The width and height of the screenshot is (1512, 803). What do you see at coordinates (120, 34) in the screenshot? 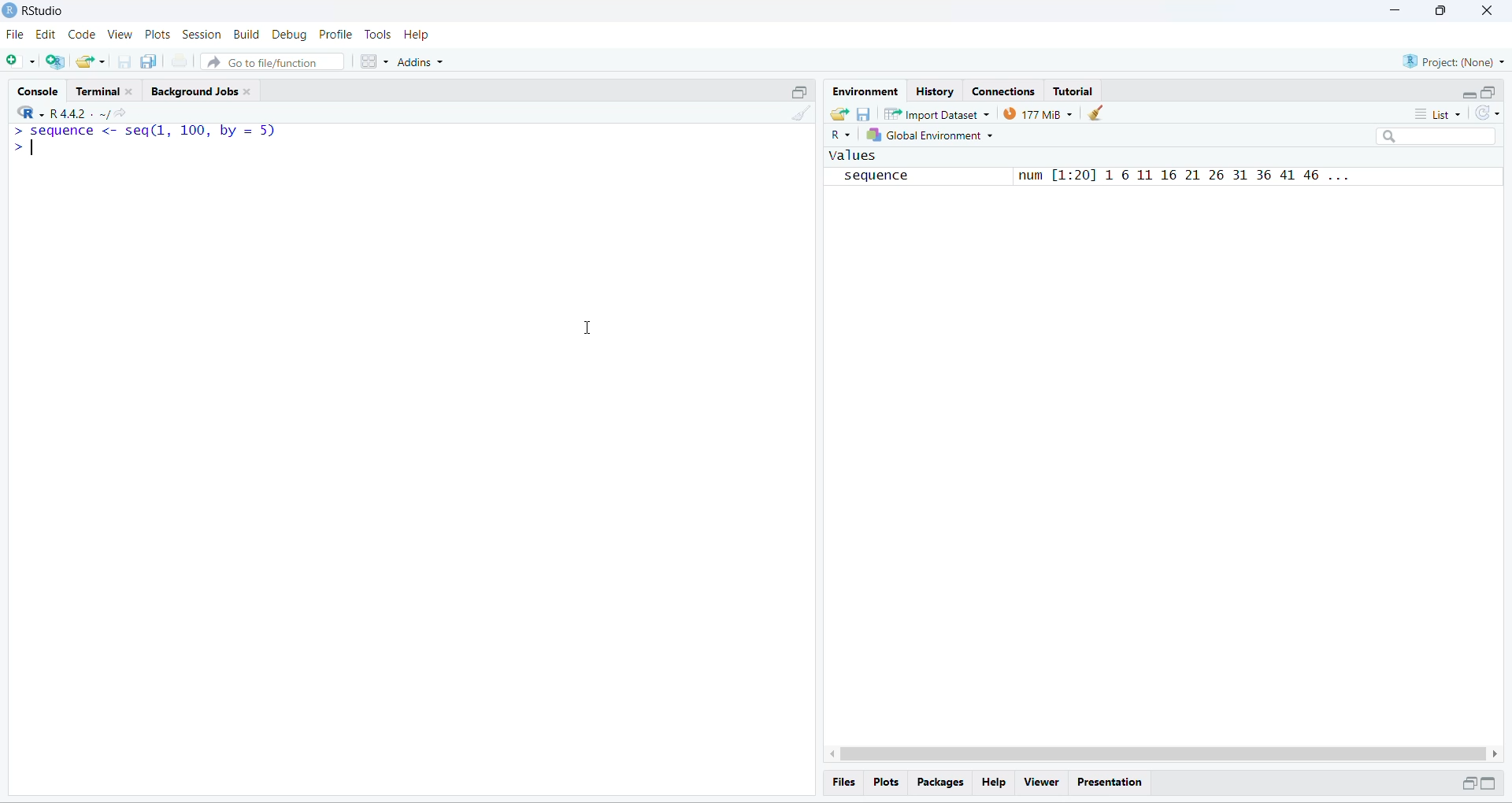
I see `view` at bounding box center [120, 34].